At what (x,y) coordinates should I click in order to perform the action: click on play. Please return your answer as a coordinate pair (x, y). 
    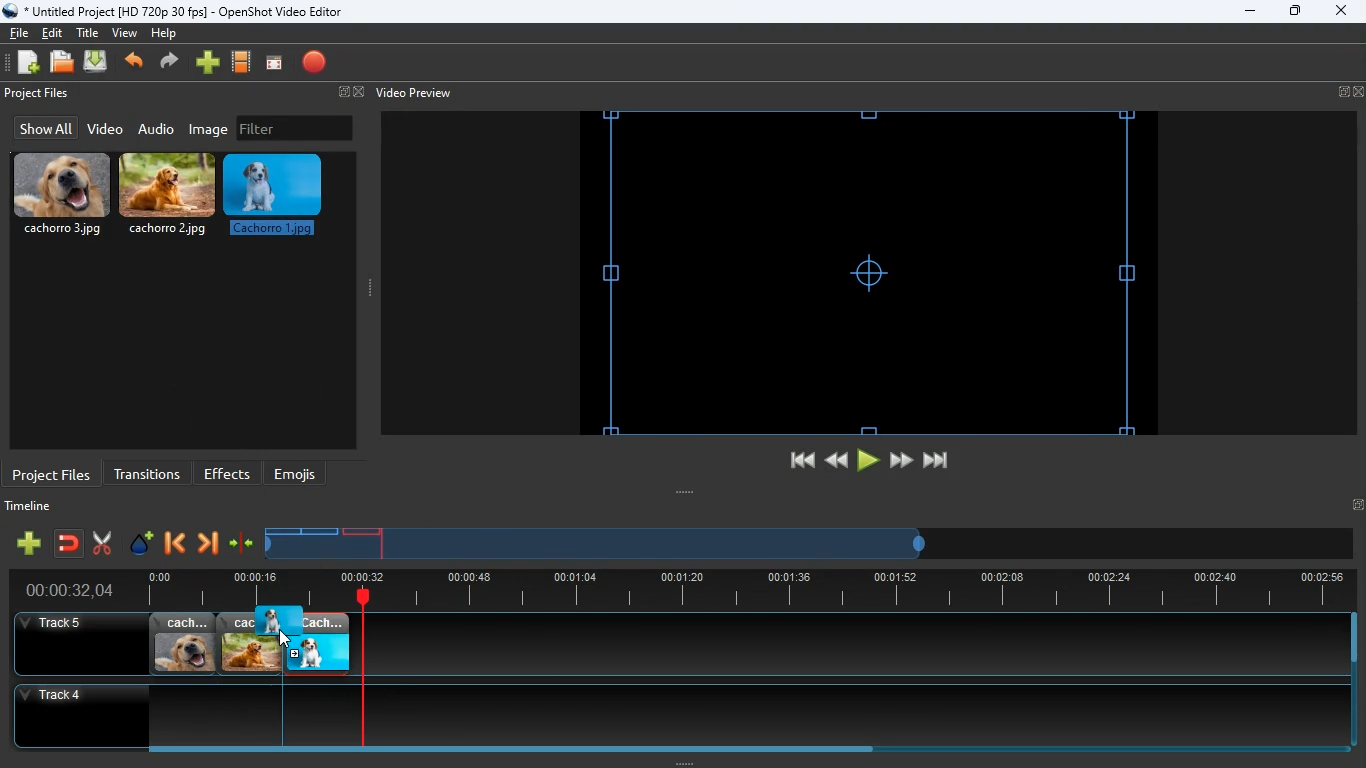
    Looking at the image, I should click on (868, 461).